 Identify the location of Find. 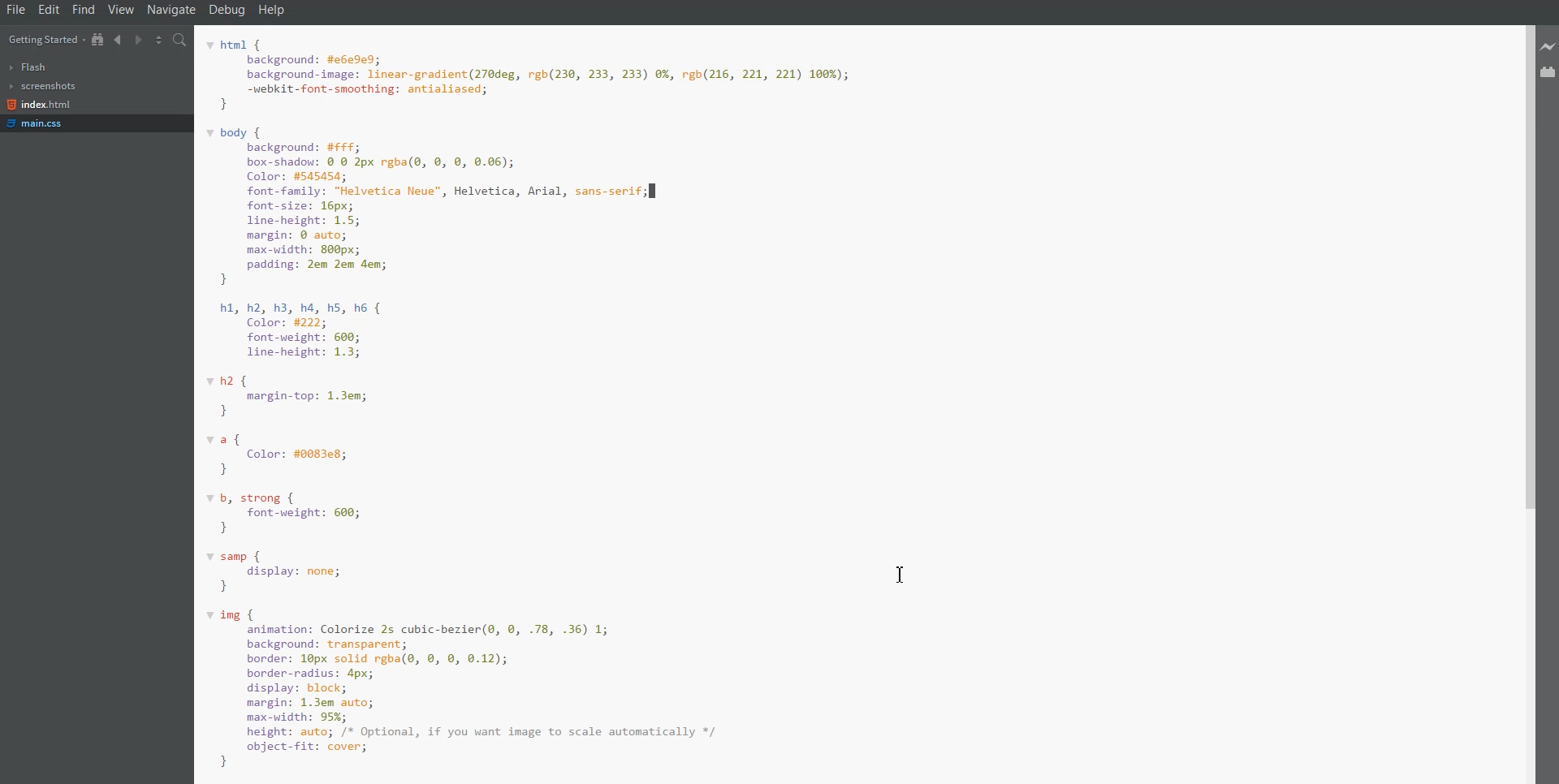
(84, 10).